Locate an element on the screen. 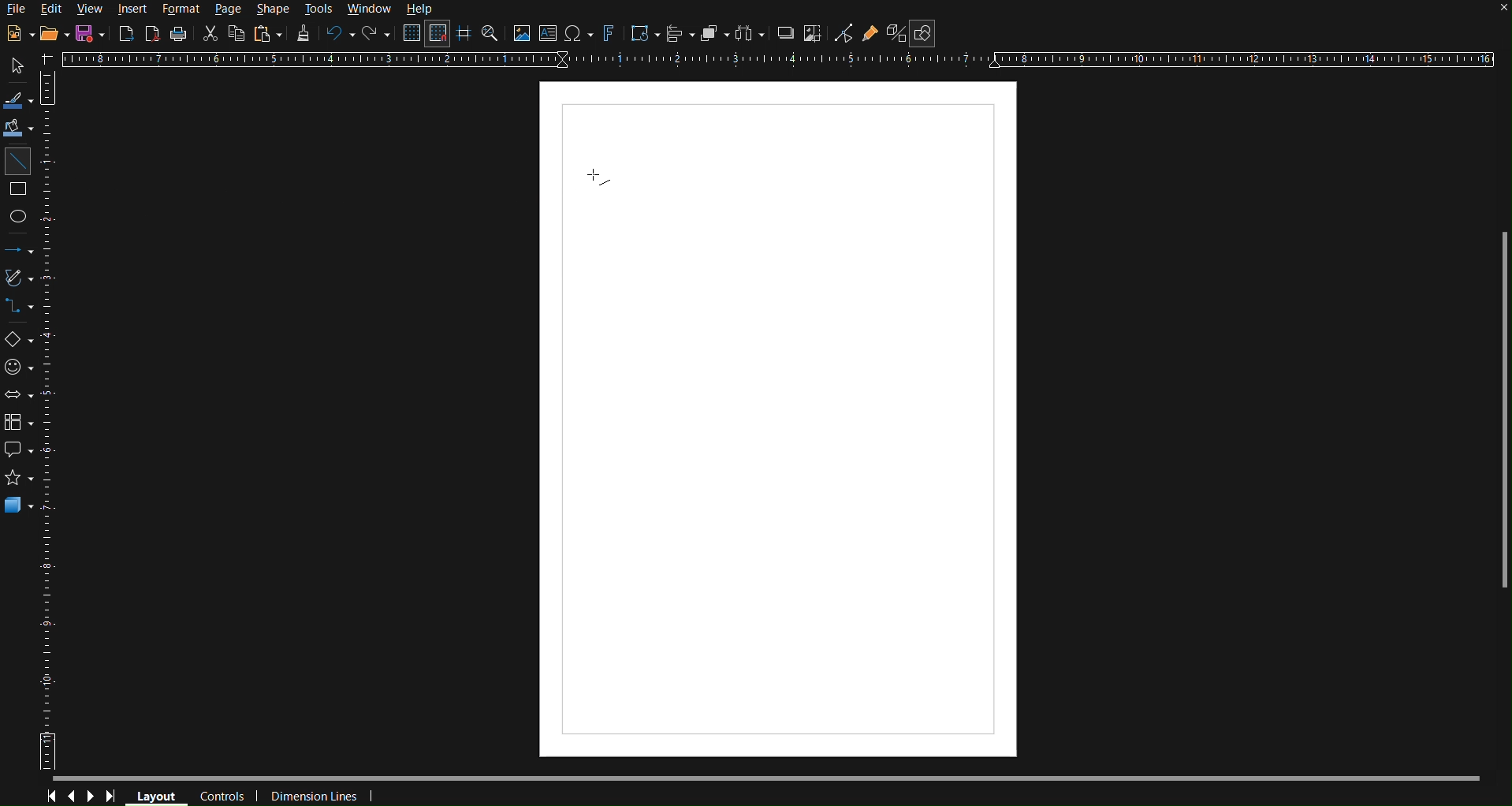  Basic Shapes is located at coordinates (20, 339).